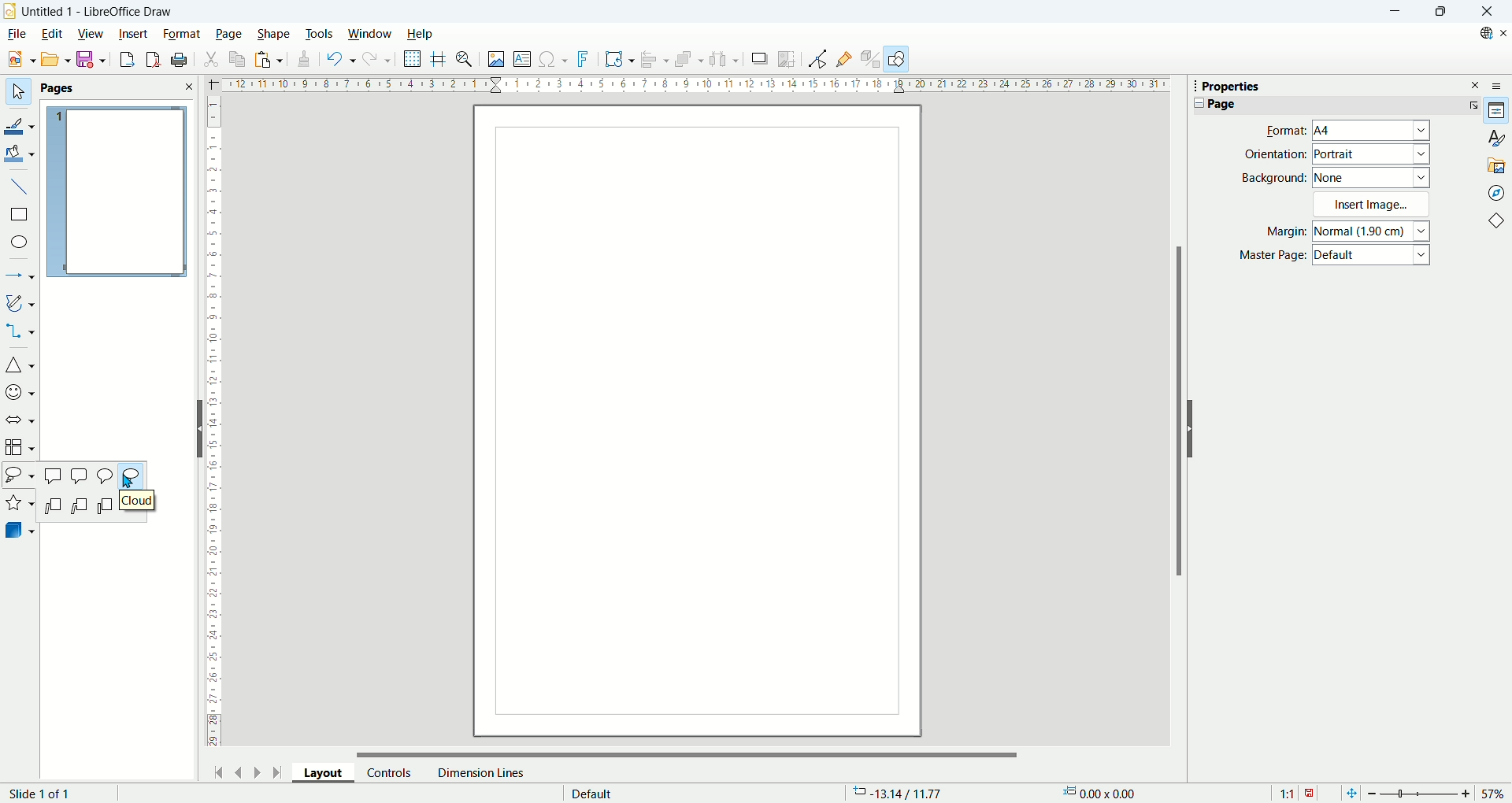 This screenshot has width=1512, height=803. What do you see at coordinates (51, 35) in the screenshot?
I see `edit` at bounding box center [51, 35].